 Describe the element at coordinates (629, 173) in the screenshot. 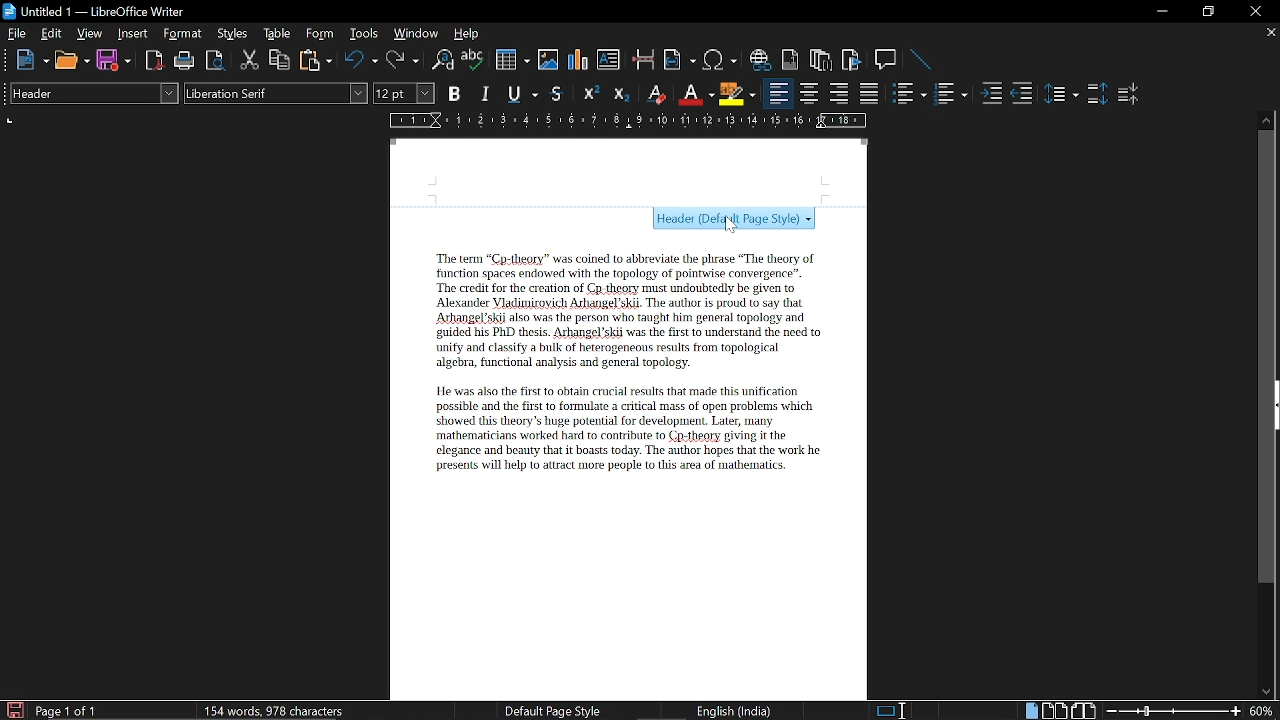

I see `Header` at that location.